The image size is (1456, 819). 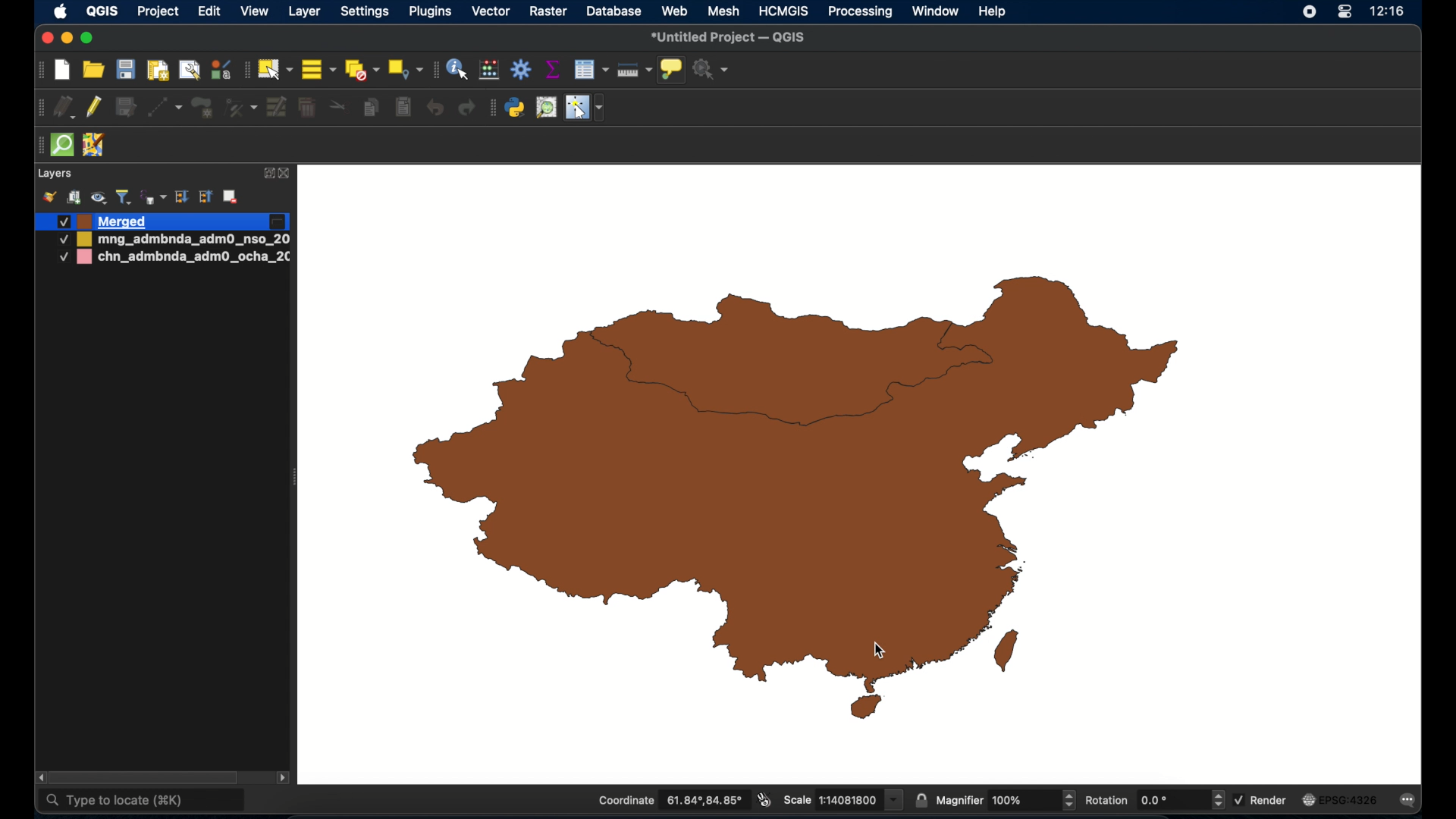 What do you see at coordinates (125, 71) in the screenshot?
I see `save project` at bounding box center [125, 71].